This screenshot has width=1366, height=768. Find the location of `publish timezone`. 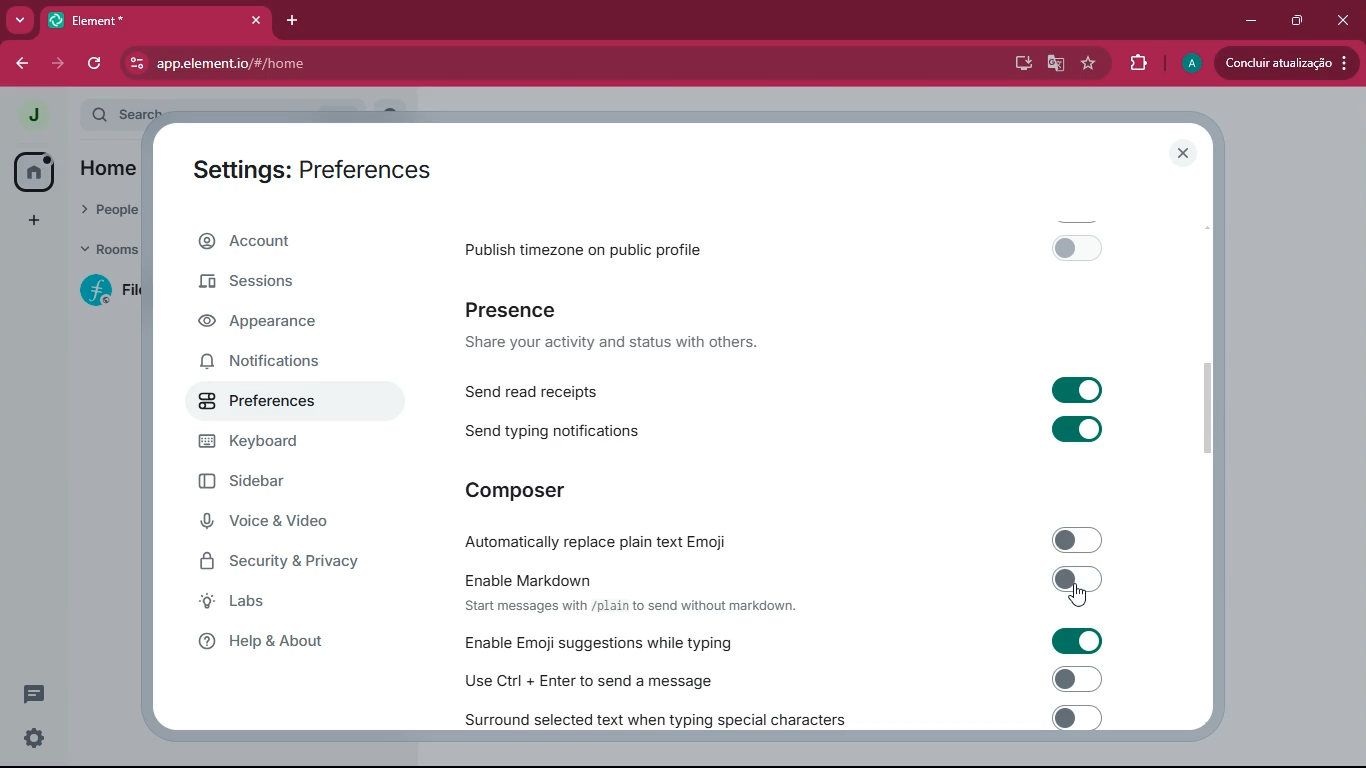

publish timezone is located at coordinates (792, 247).